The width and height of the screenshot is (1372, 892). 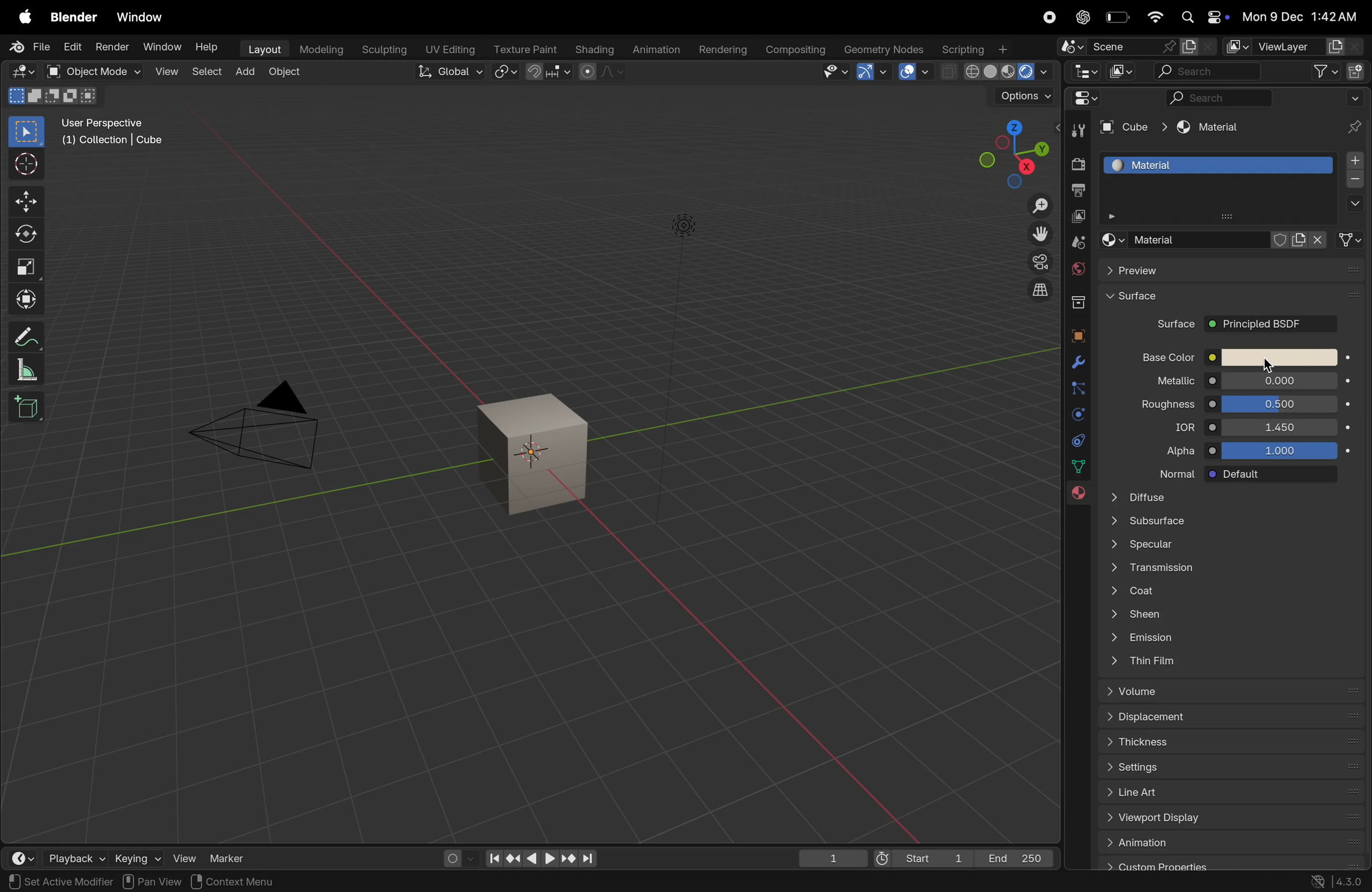 What do you see at coordinates (1354, 205) in the screenshot?
I see `options` at bounding box center [1354, 205].